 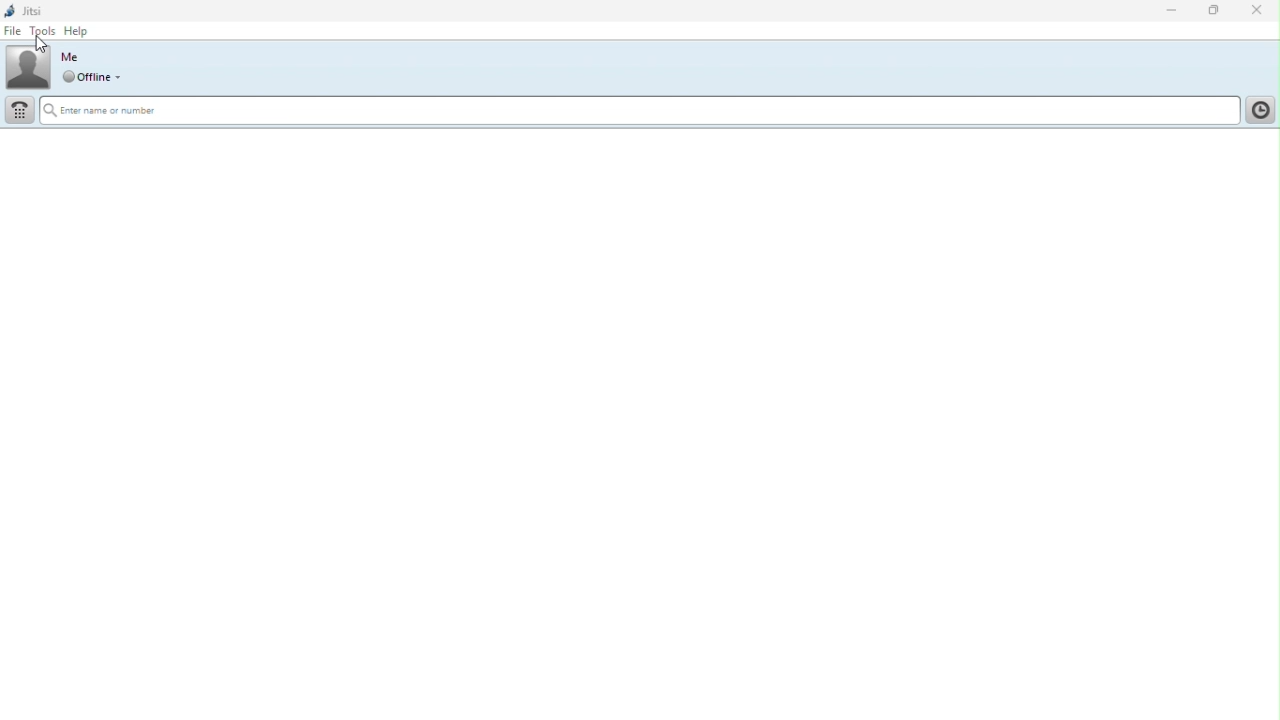 I want to click on File, so click(x=12, y=31).